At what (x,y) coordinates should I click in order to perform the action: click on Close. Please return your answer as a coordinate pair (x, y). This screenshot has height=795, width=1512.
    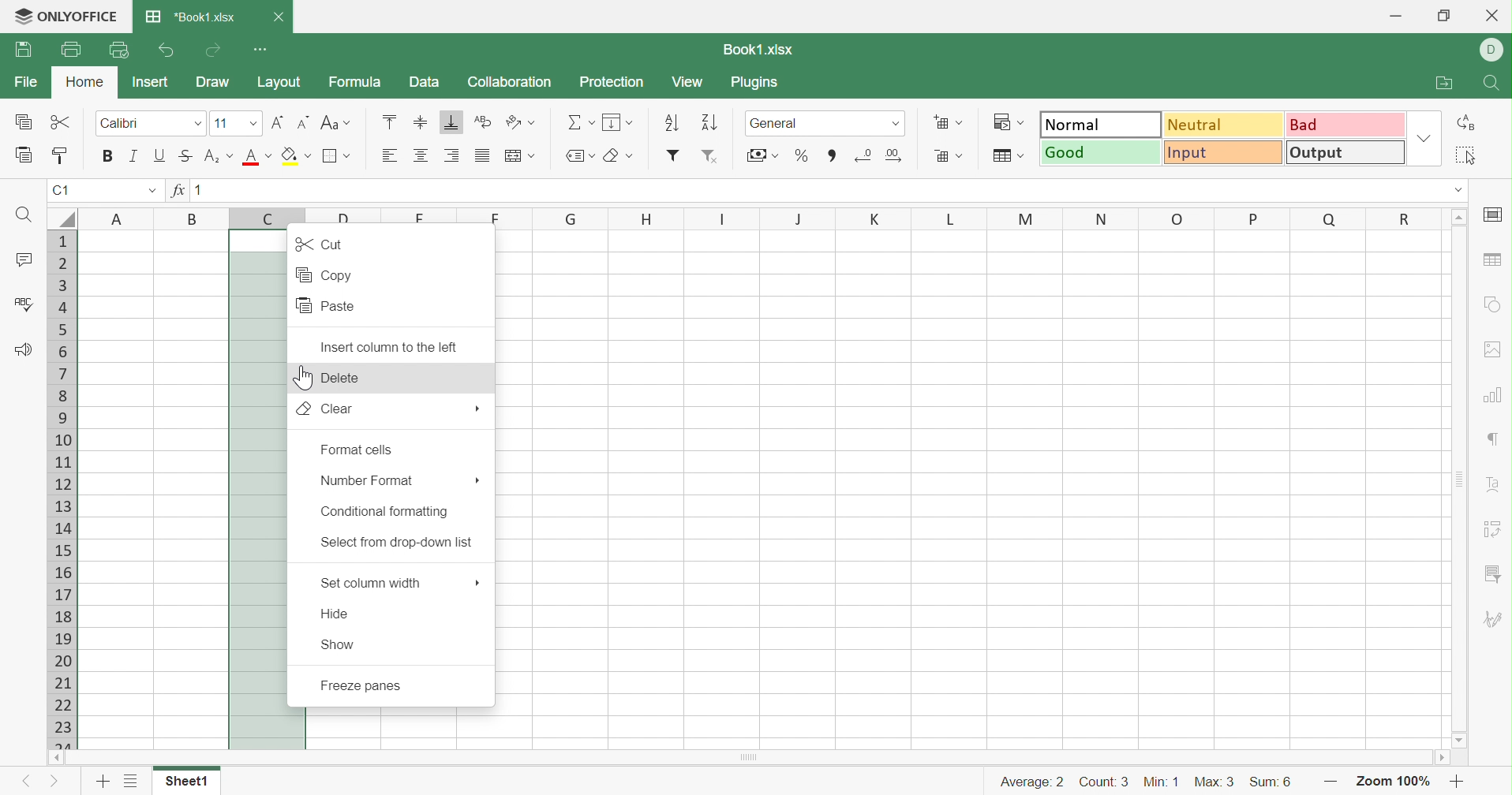
    Looking at the image, I should click on (1491, 15).